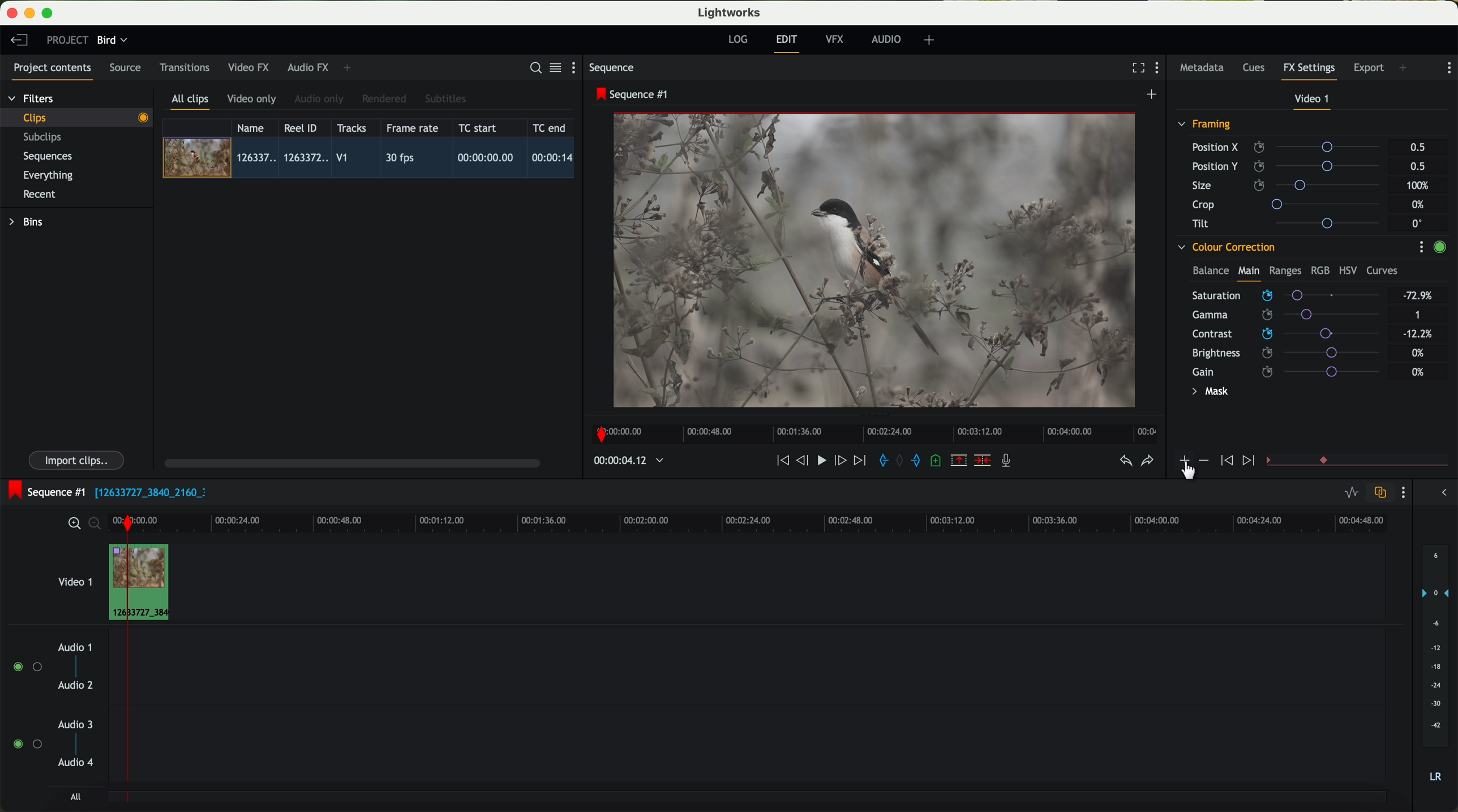 This screenshot has height=812, width=1458. What do you see at coordinates (1378, 493) in the screenshot?
I see `toggle auto track sync` at bounding box center [1378, 493].